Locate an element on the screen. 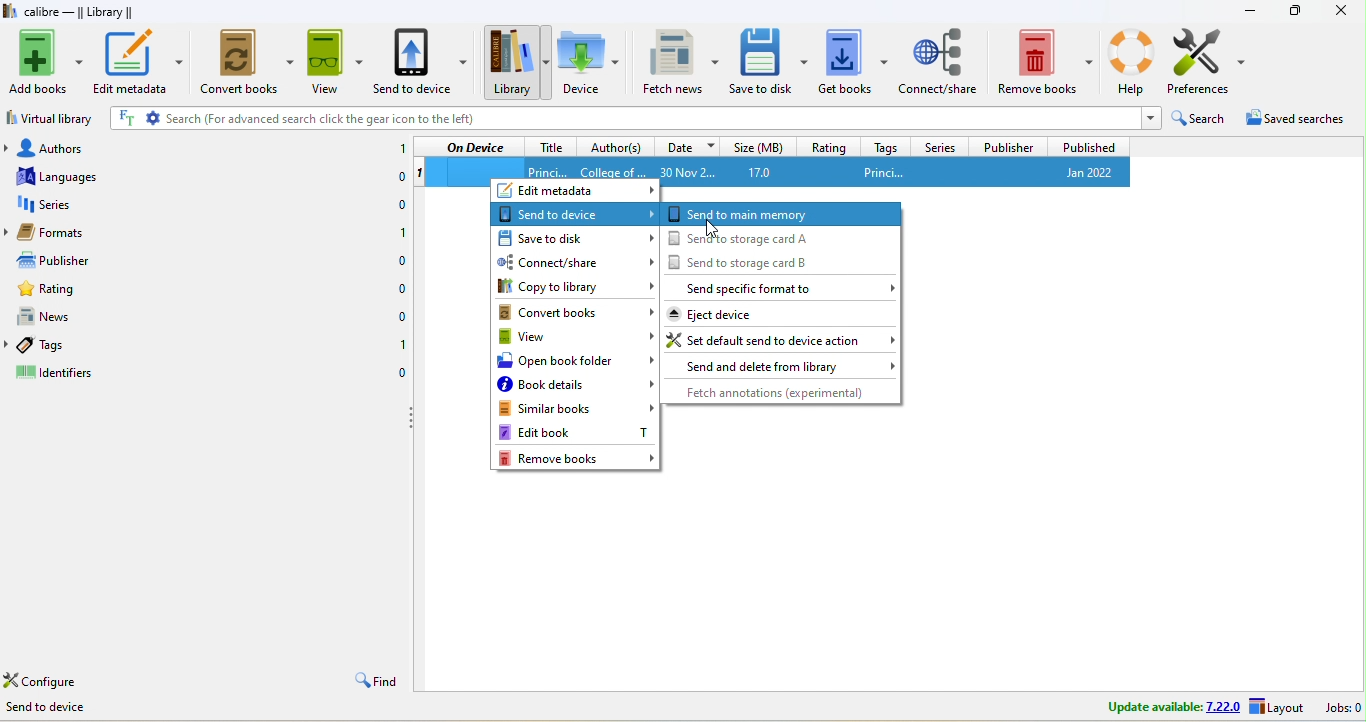 The image size is (1366, 722). languages is located at coordinates (56, 175).